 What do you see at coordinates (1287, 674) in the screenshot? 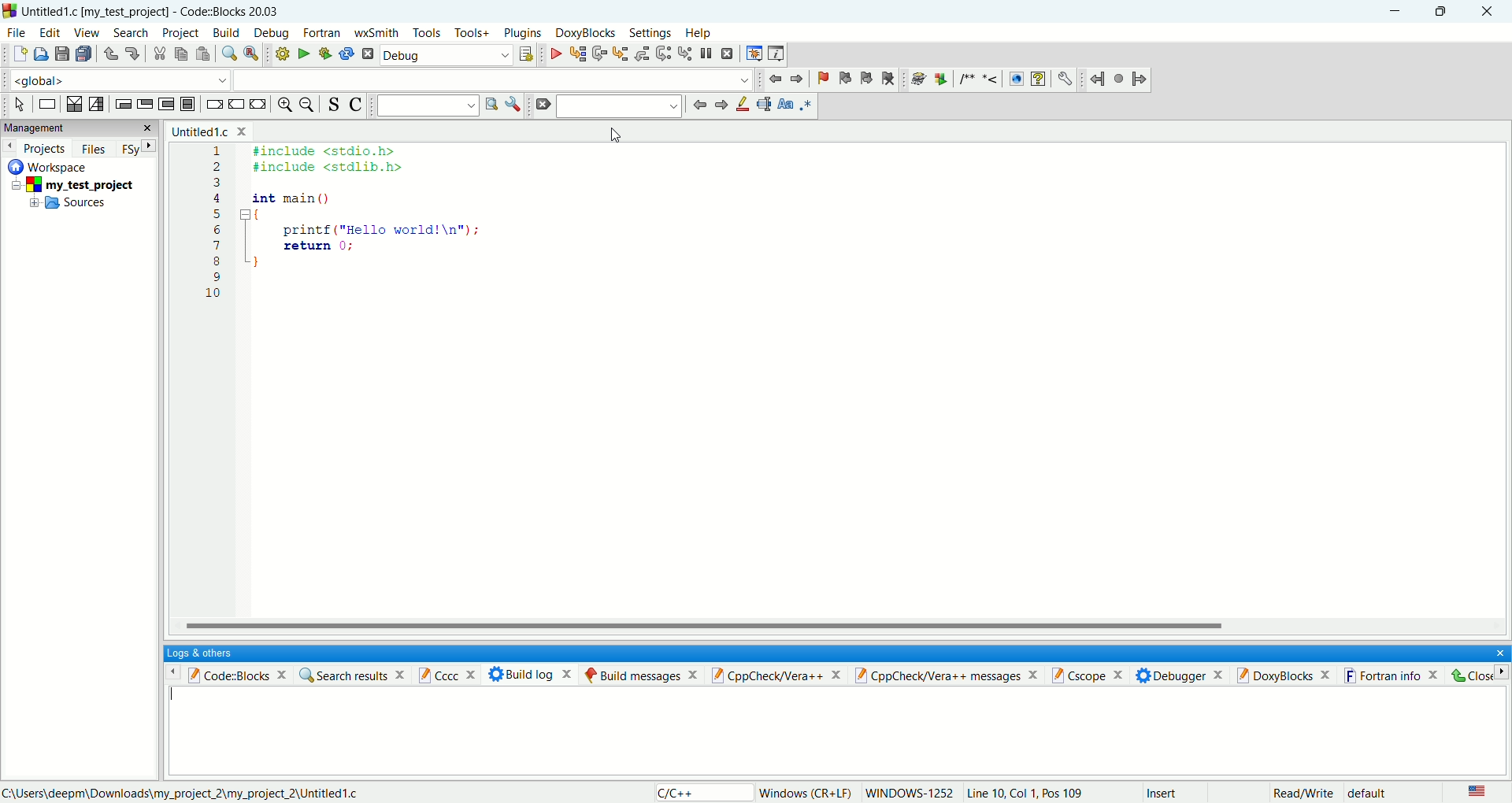
I see `doxyblocks` at bounding box center [1287, 674].